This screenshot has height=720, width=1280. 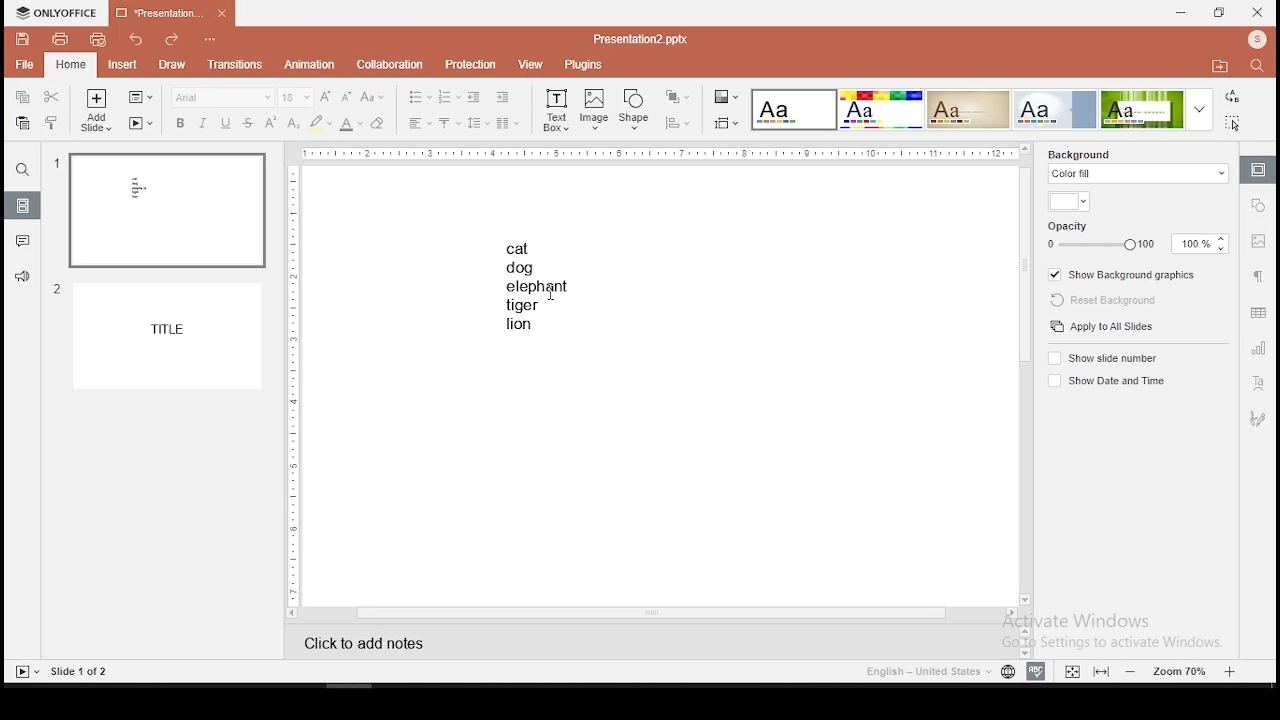 I want to click on slide 1 of 2, so click(x=76, y=673).